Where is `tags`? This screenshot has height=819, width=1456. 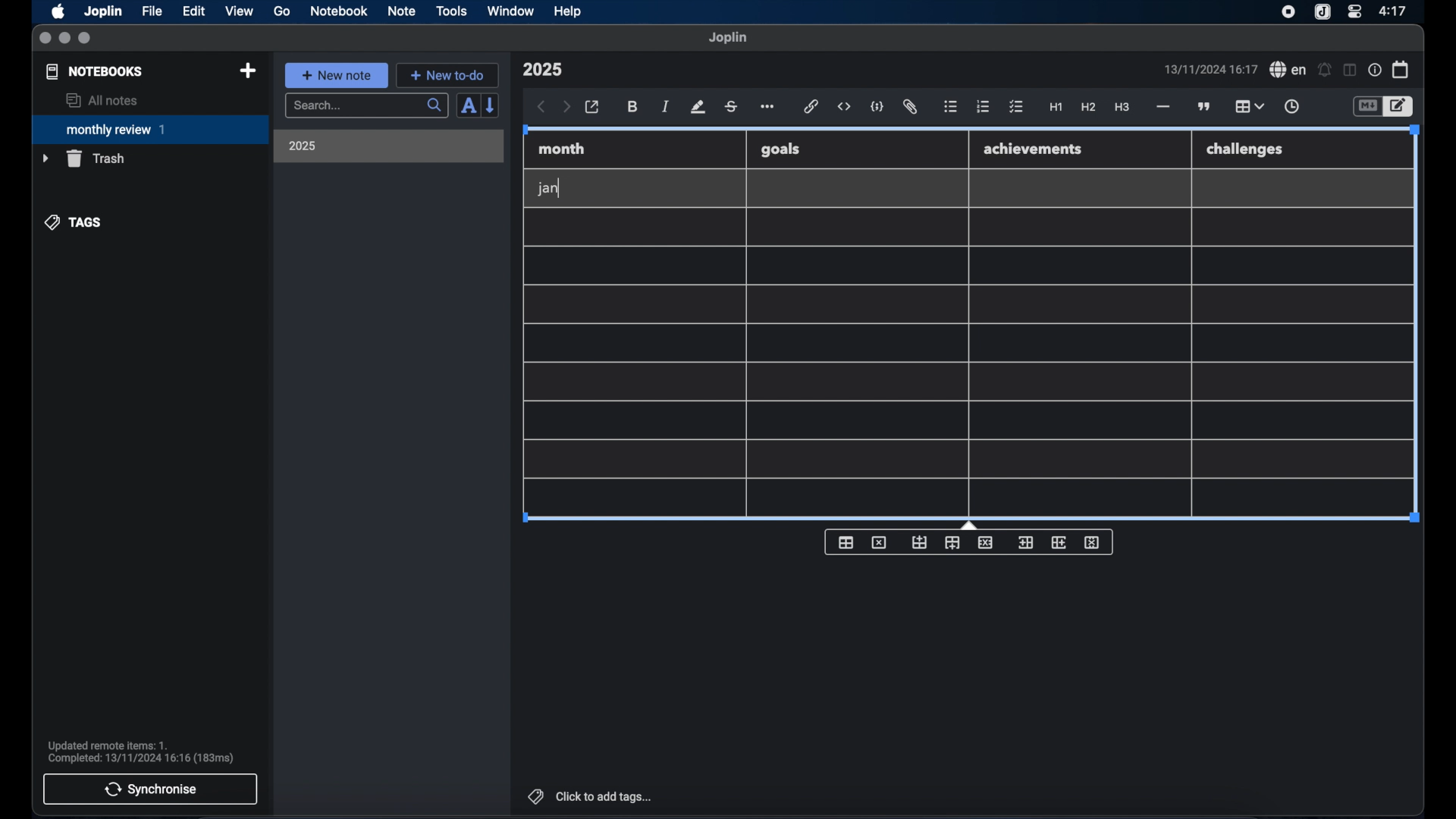
tags is located at coordinates (74, 222).